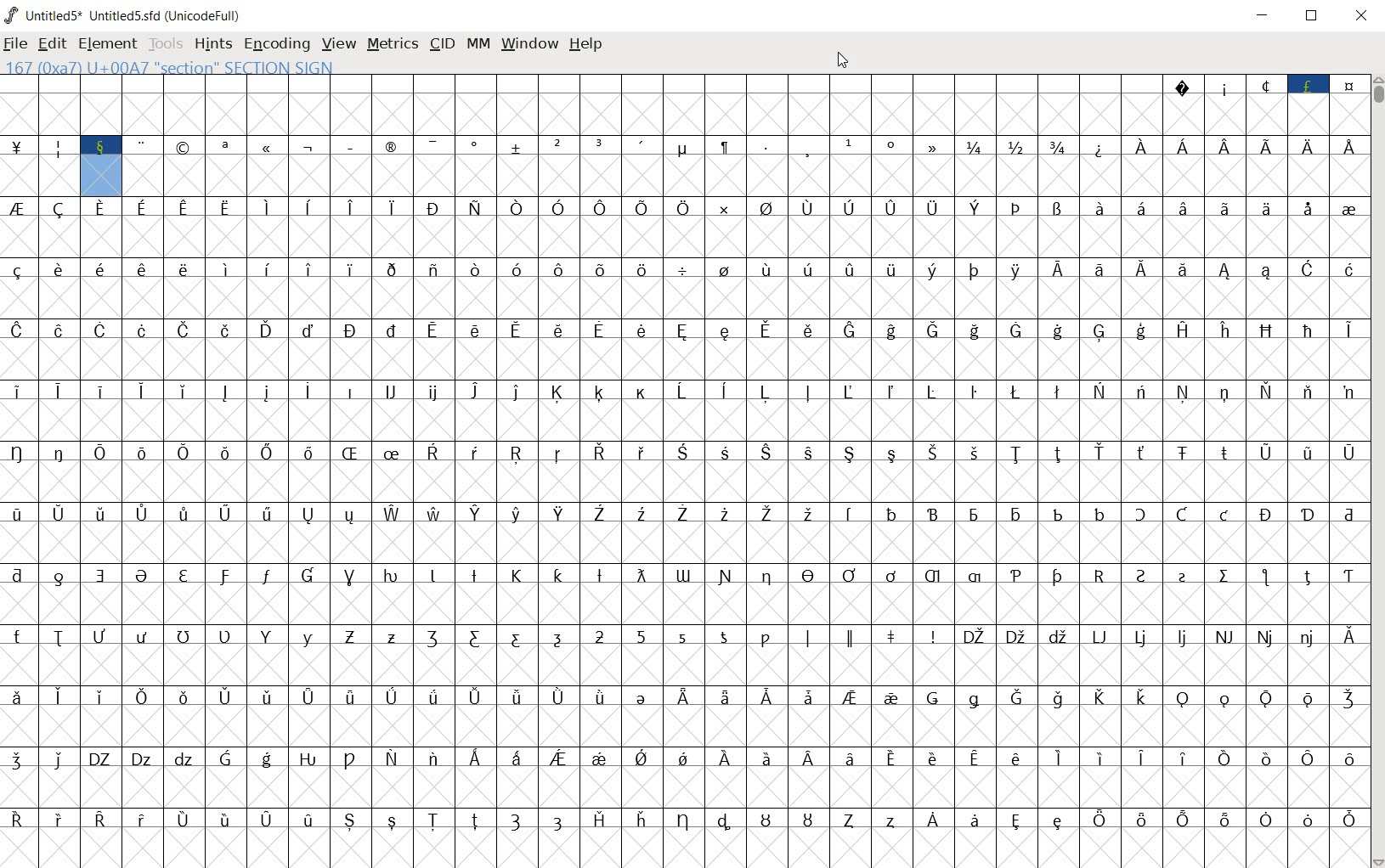  Describe the element at coordinates (82, 839) in the screenshot. I see `` at that location.